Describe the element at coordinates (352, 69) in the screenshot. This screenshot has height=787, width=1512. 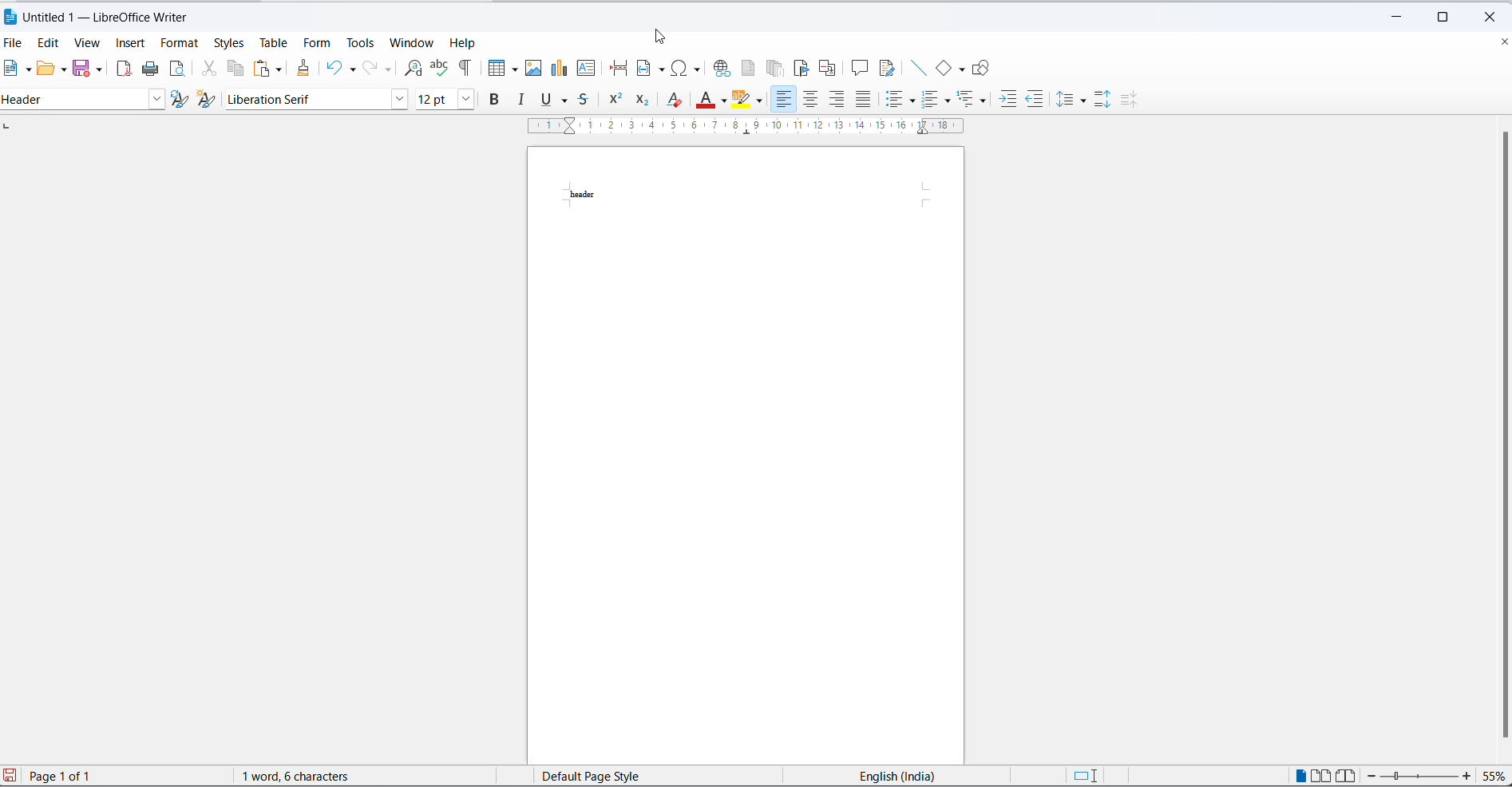
I see `undo options` at that location.